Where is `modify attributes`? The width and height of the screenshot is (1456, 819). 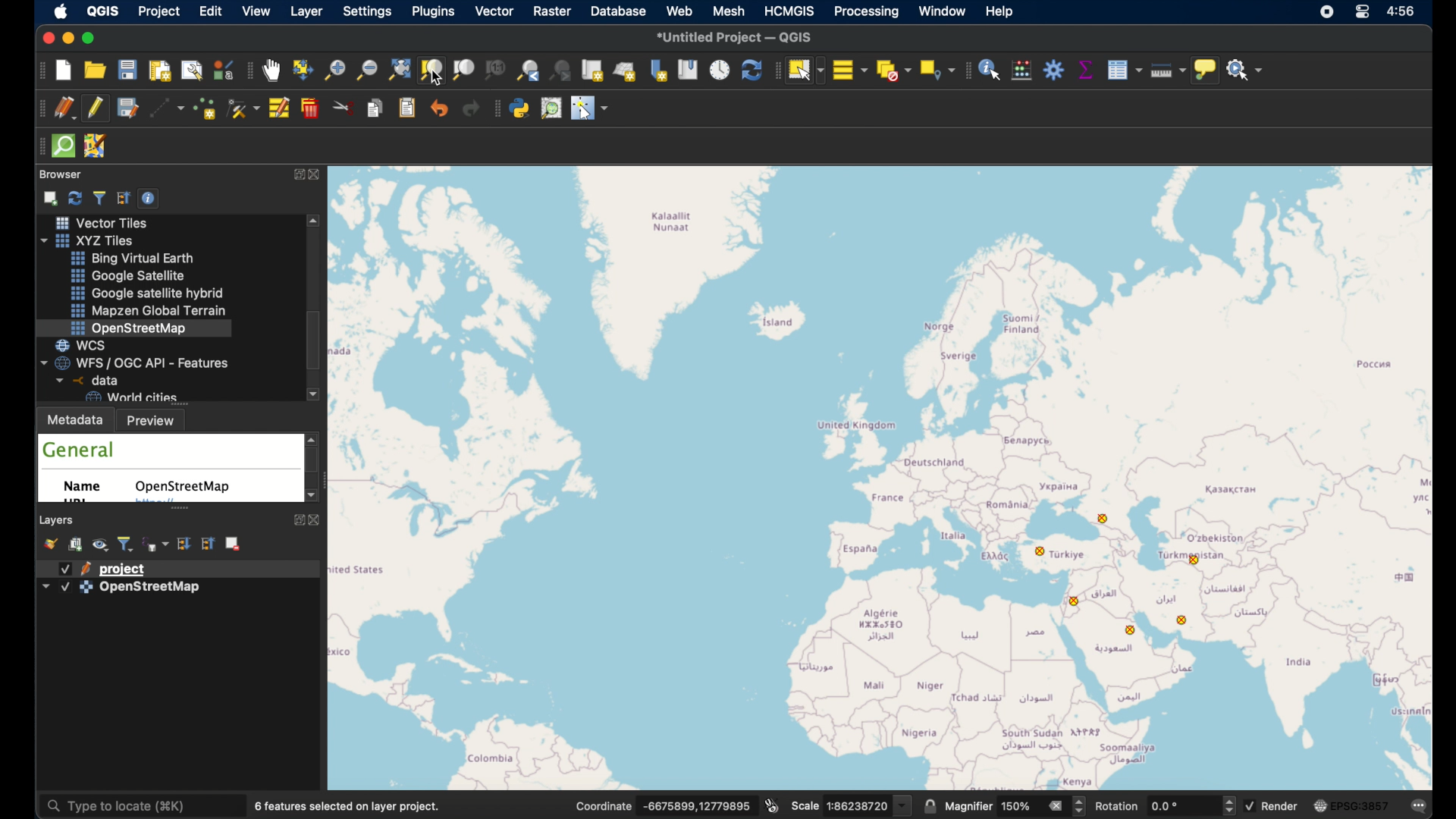
modify attributes is located at coordinates (281, 109).